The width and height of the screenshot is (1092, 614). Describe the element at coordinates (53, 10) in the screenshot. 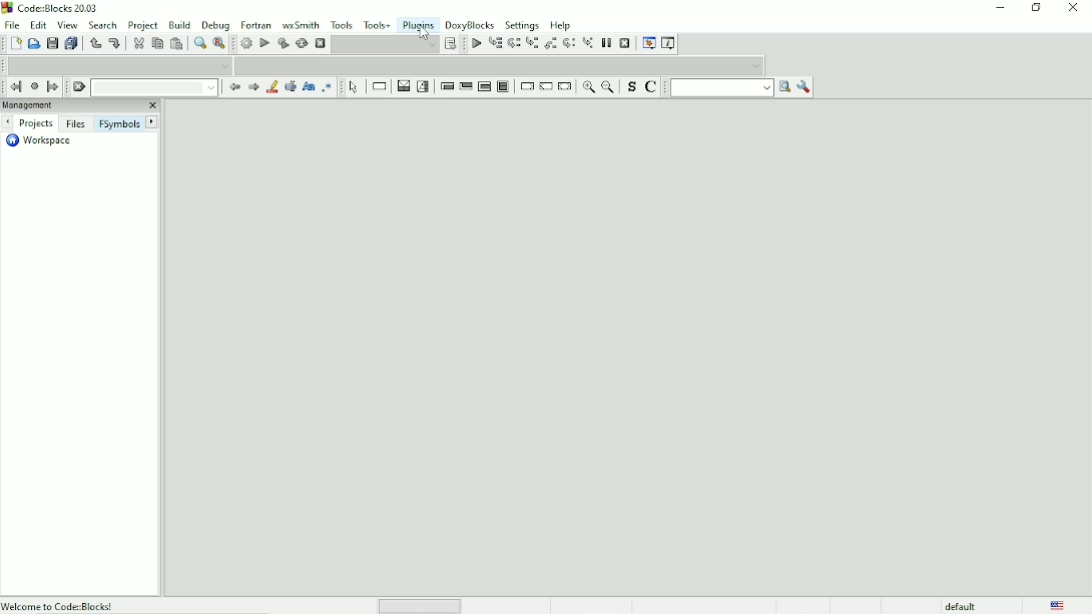

I see `Title` at that location.